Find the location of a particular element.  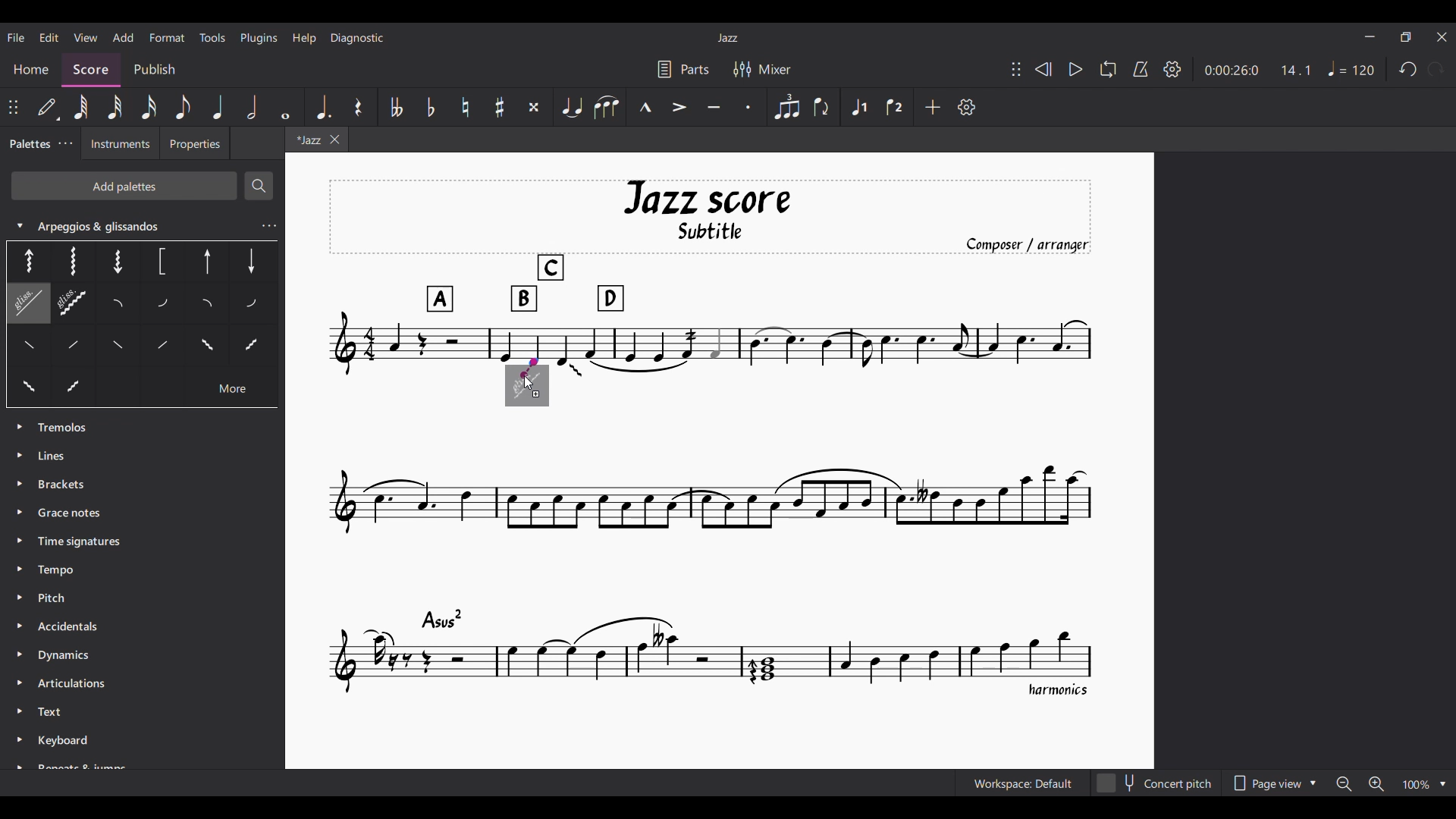

Palate 10 is located at coordinates (165, 305).